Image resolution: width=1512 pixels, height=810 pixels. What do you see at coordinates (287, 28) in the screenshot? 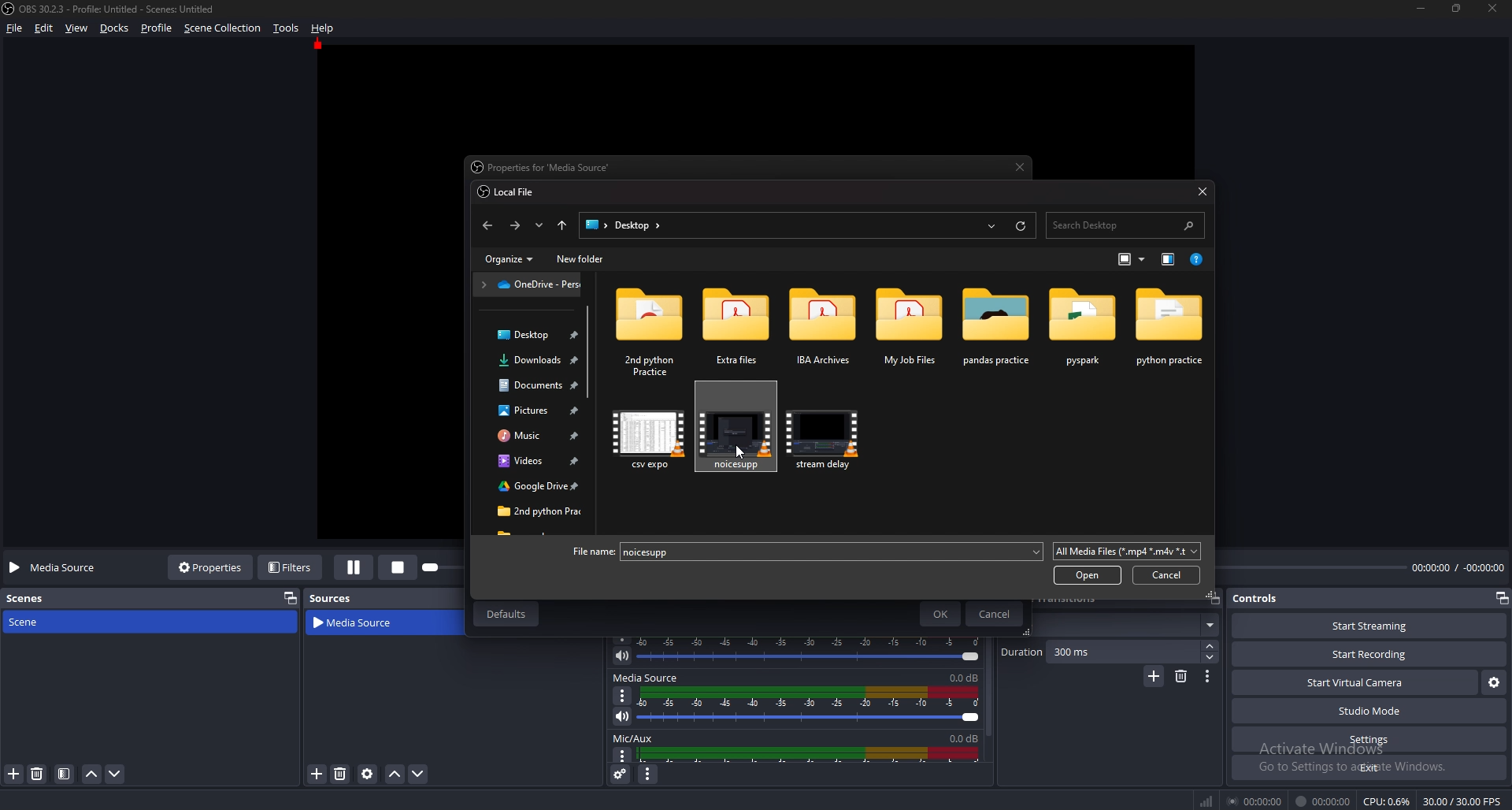
I see `Tools` at bounding box center [287, 28].